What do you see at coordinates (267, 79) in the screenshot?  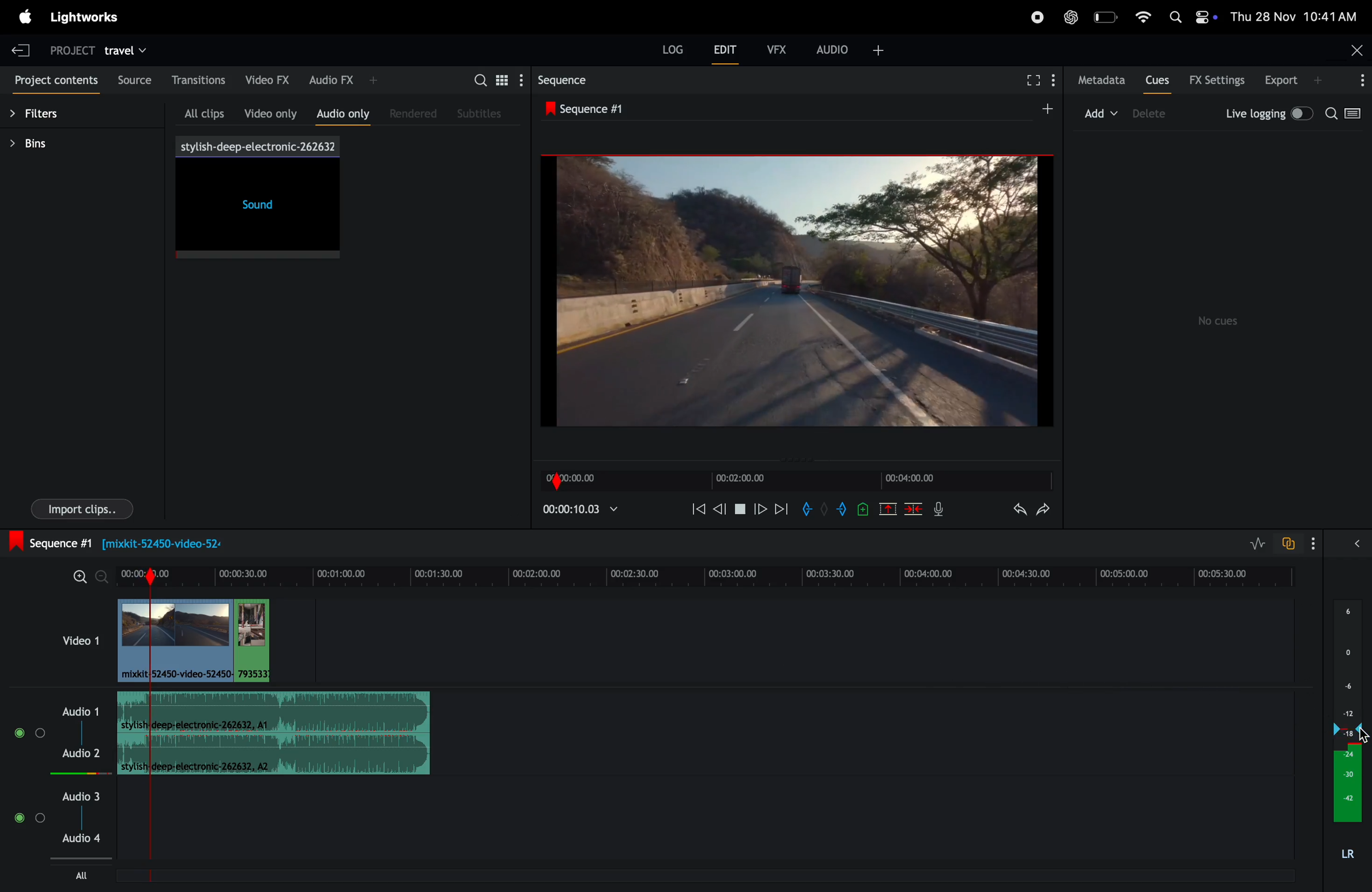 I see `video fx` at bounding box center [267, 79].